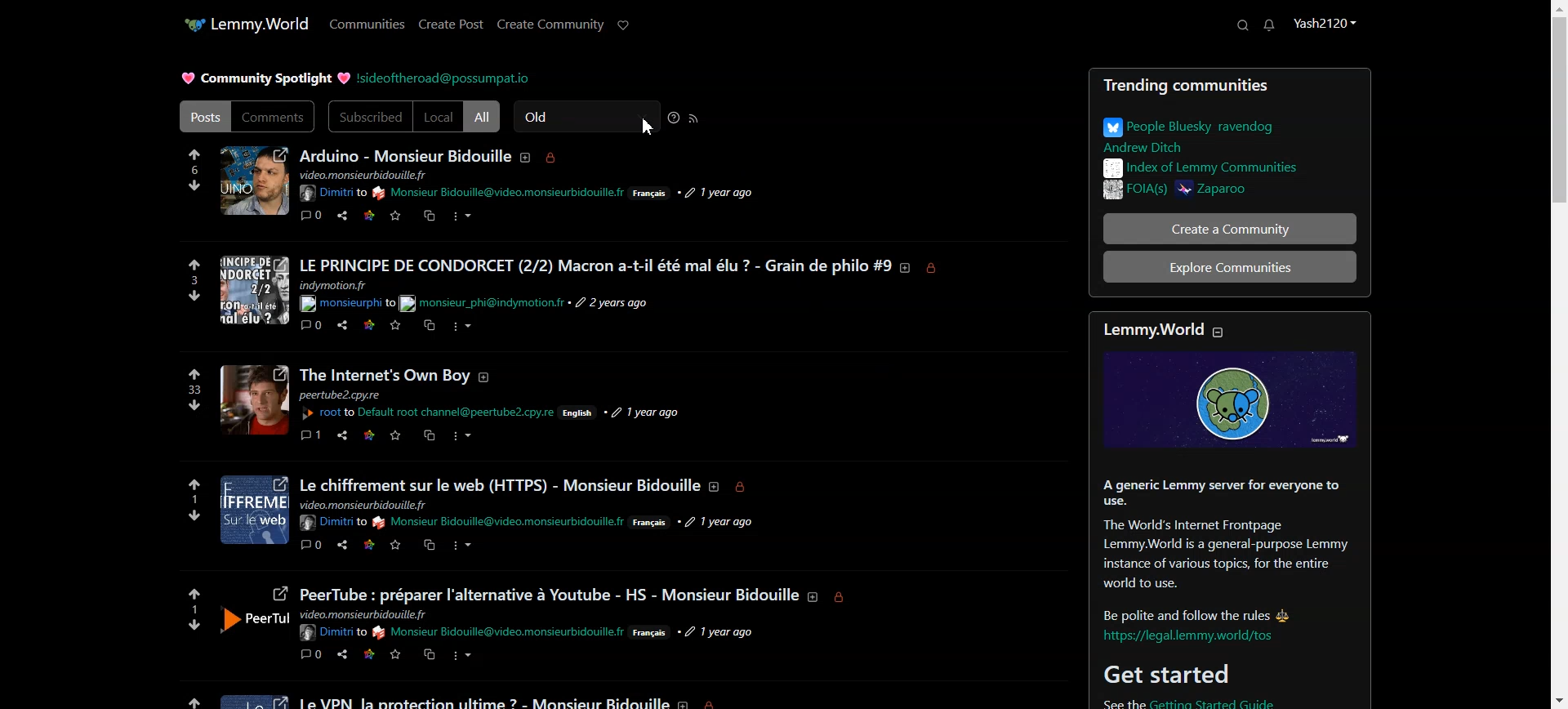 The height and width of the screenshot is (709, 1568). What do you see at coordinates (688, 702) in the screenshot?
I see `about` at bounding box center [688, 702].